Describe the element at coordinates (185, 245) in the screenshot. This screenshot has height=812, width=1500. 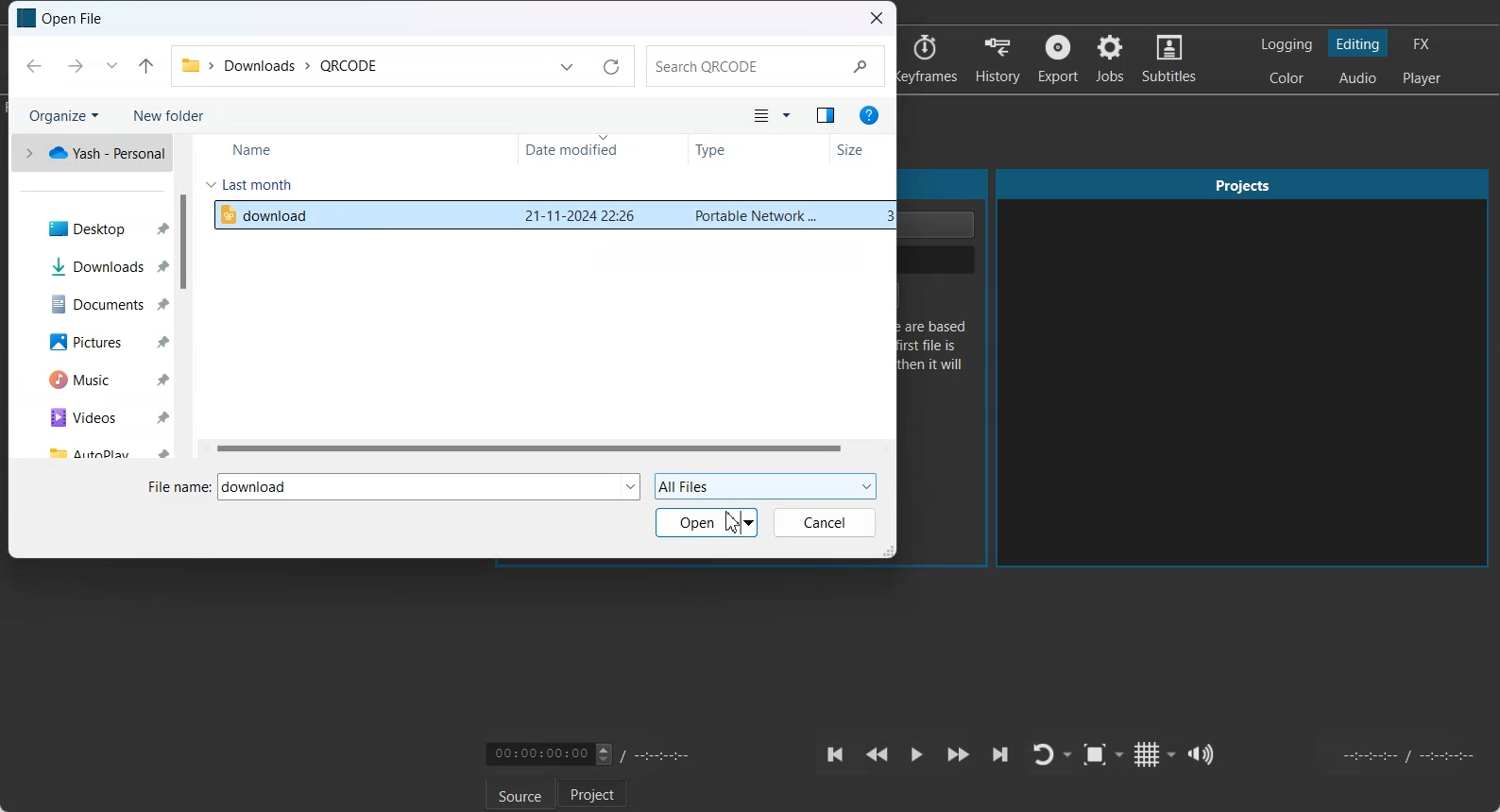
I see `Vertical Scroll bar` at that location.